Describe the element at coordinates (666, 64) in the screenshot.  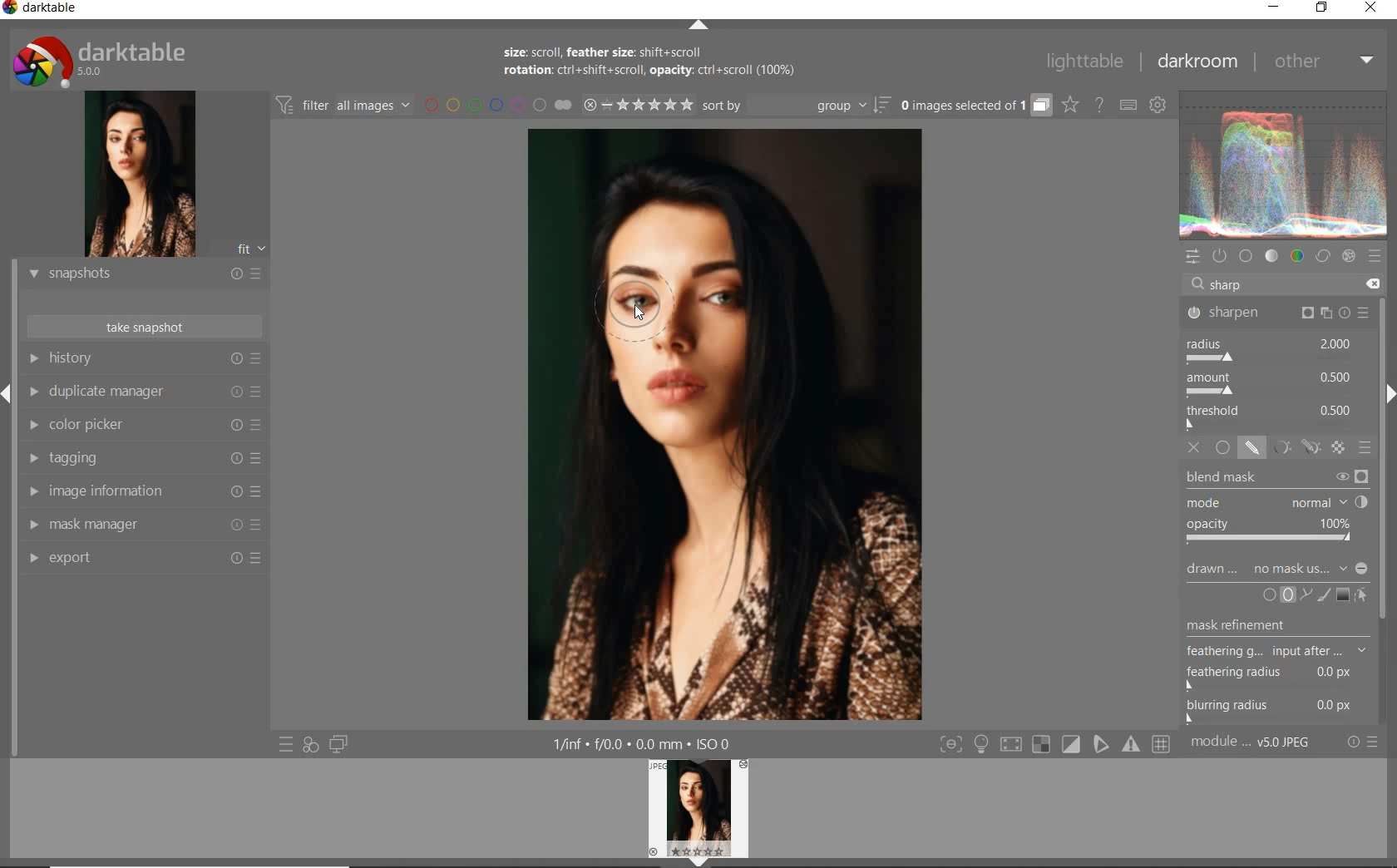
I see `size: scroll, feather size: shift+scroll
rotation: ctrl+shift+scroll, opacity: ctrl+scroll (100%)` at that location.